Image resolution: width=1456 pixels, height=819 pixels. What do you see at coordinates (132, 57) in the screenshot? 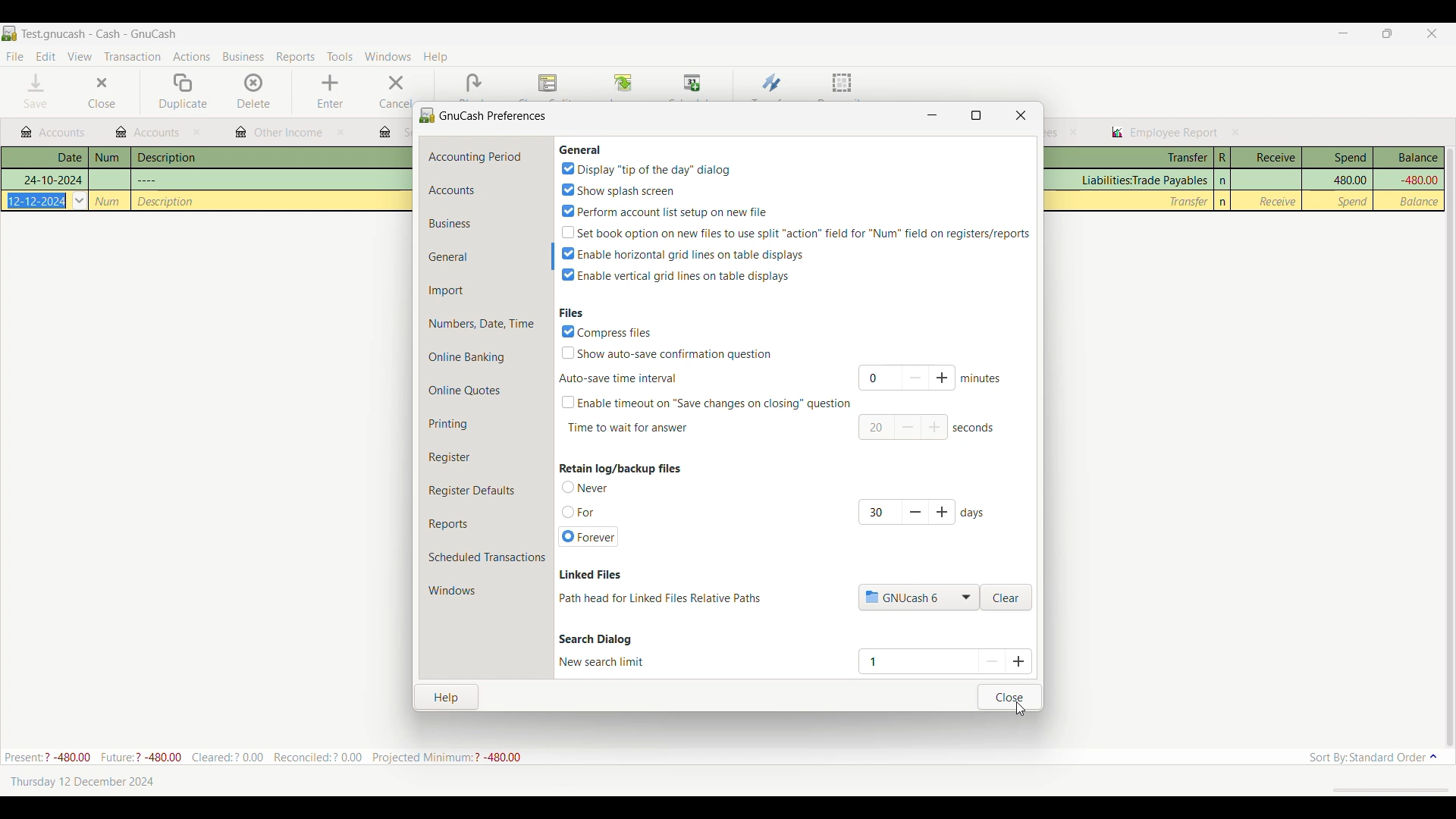
I see `Transaction menu` at bounding box center [132, 57].